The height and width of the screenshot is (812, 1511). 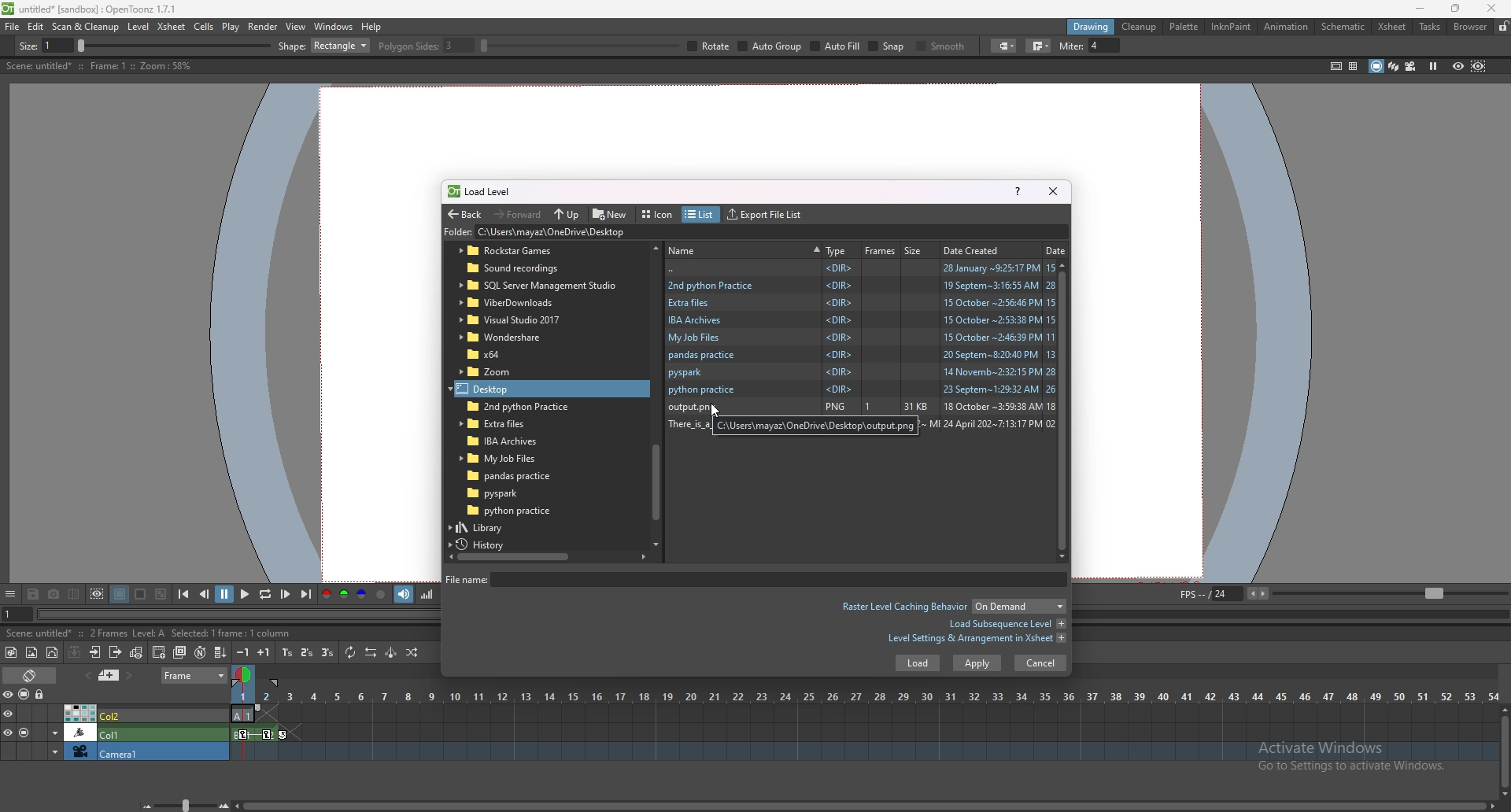 What do you see at coordinates (1026, 46) in the screenshot?
I see `rotate` at bounding box center [1026, 46].